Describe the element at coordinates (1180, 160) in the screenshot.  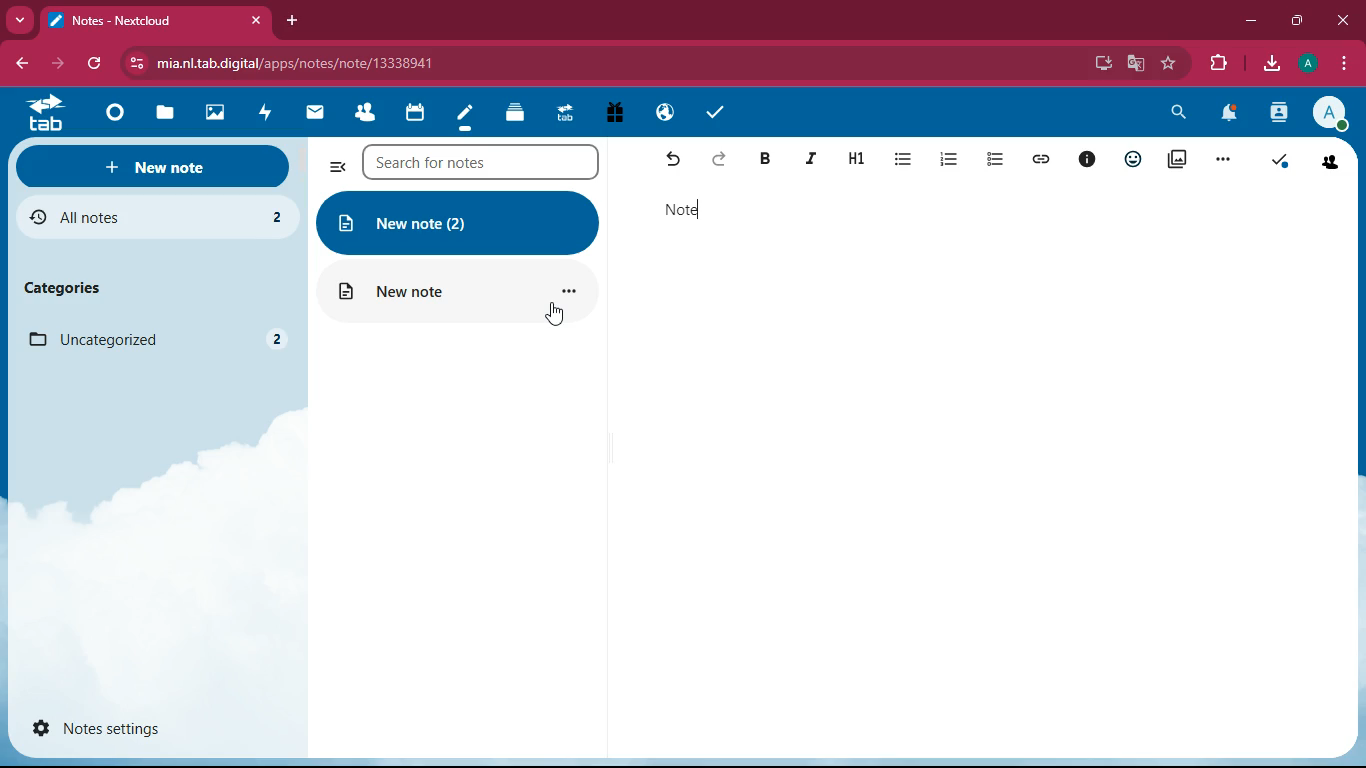
I see `pictures` at that location.